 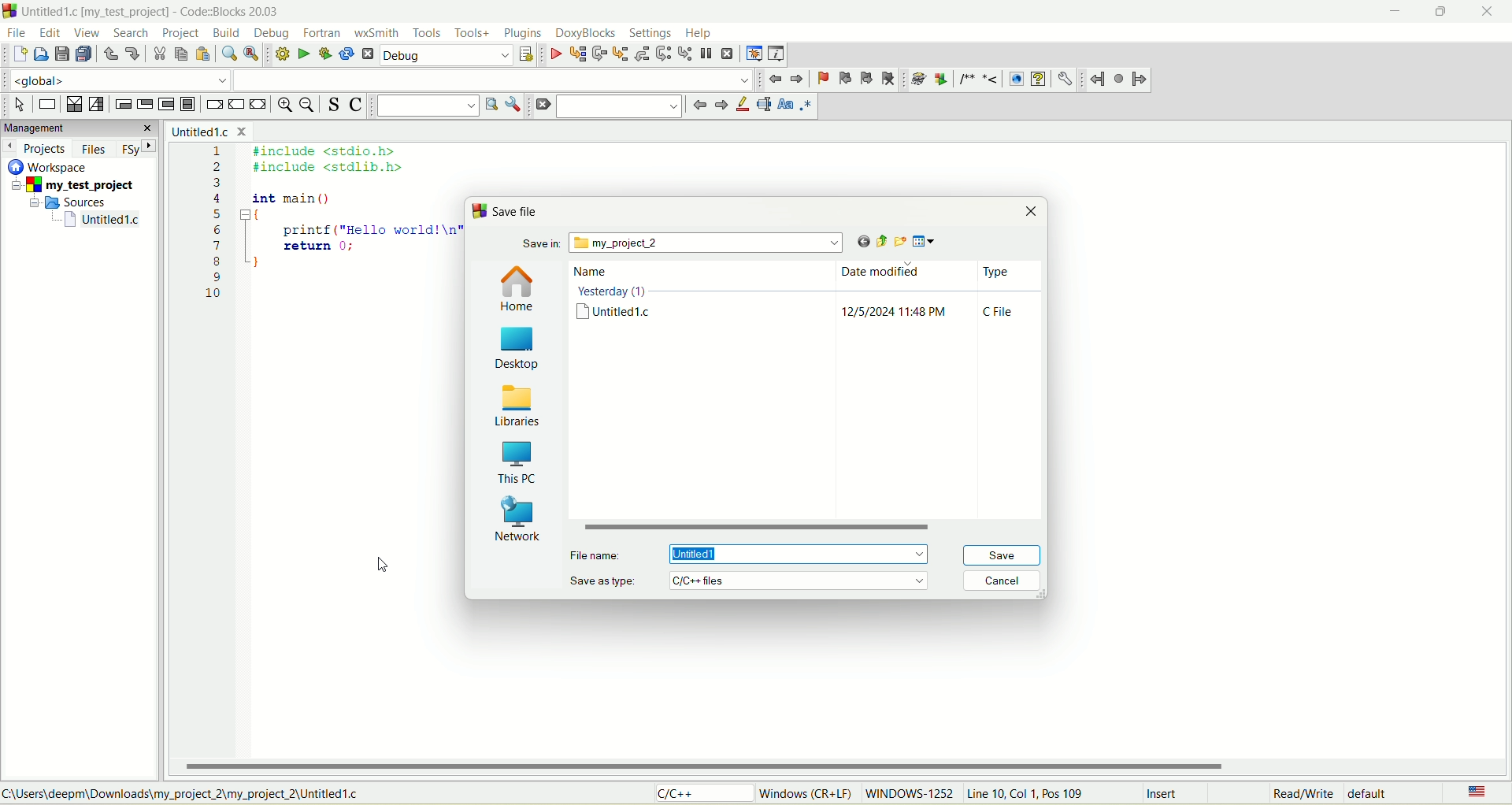 What do you see at coordinates (490, 104) in the screenshot?
I see `run search` at bounding box center [490, 104].